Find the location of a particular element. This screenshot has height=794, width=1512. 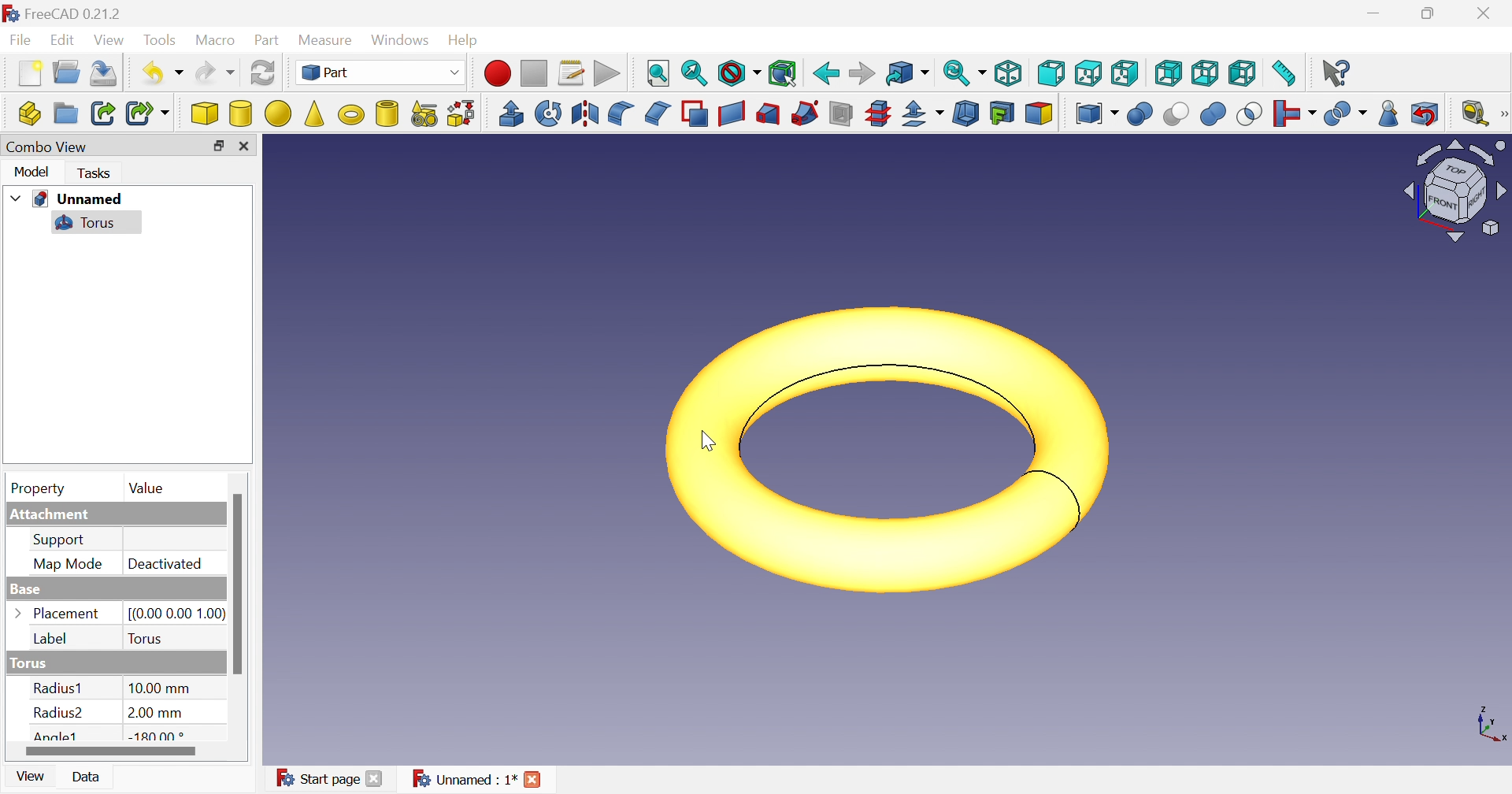

Color per face is located at coordinates (1040, 113).